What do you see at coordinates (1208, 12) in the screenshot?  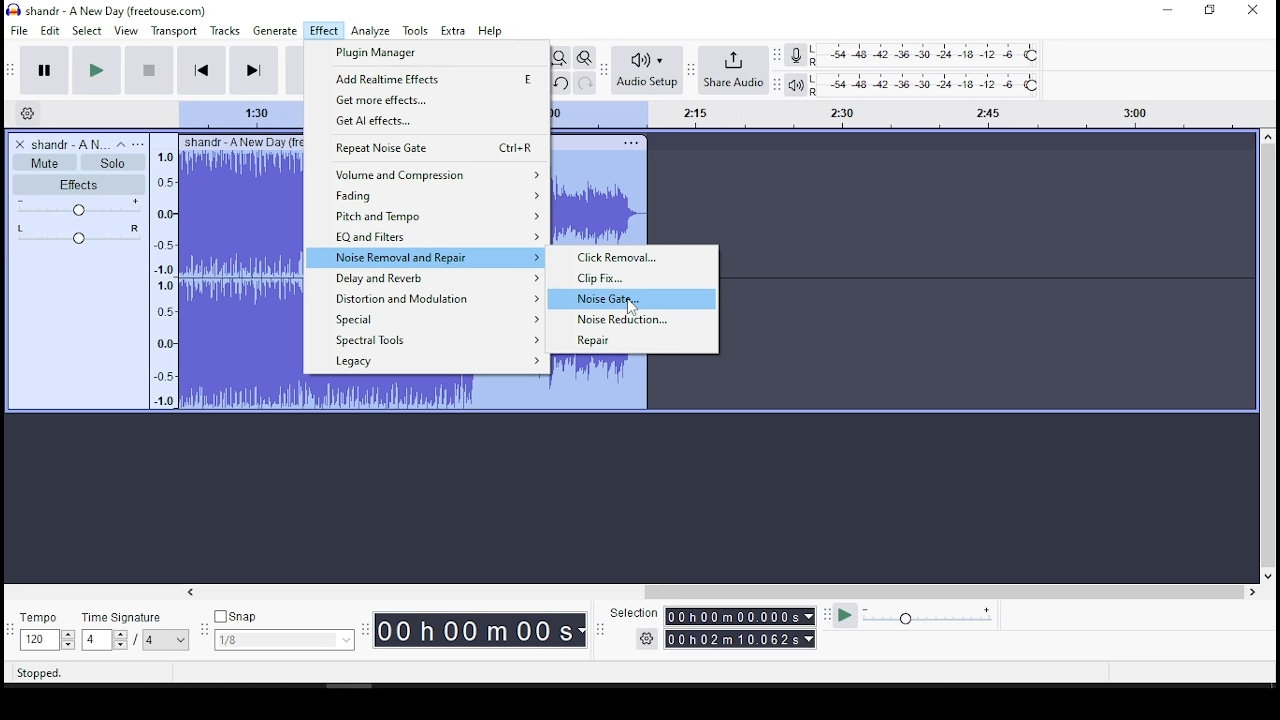 I see `restore` at bounding box center [1208, 12].